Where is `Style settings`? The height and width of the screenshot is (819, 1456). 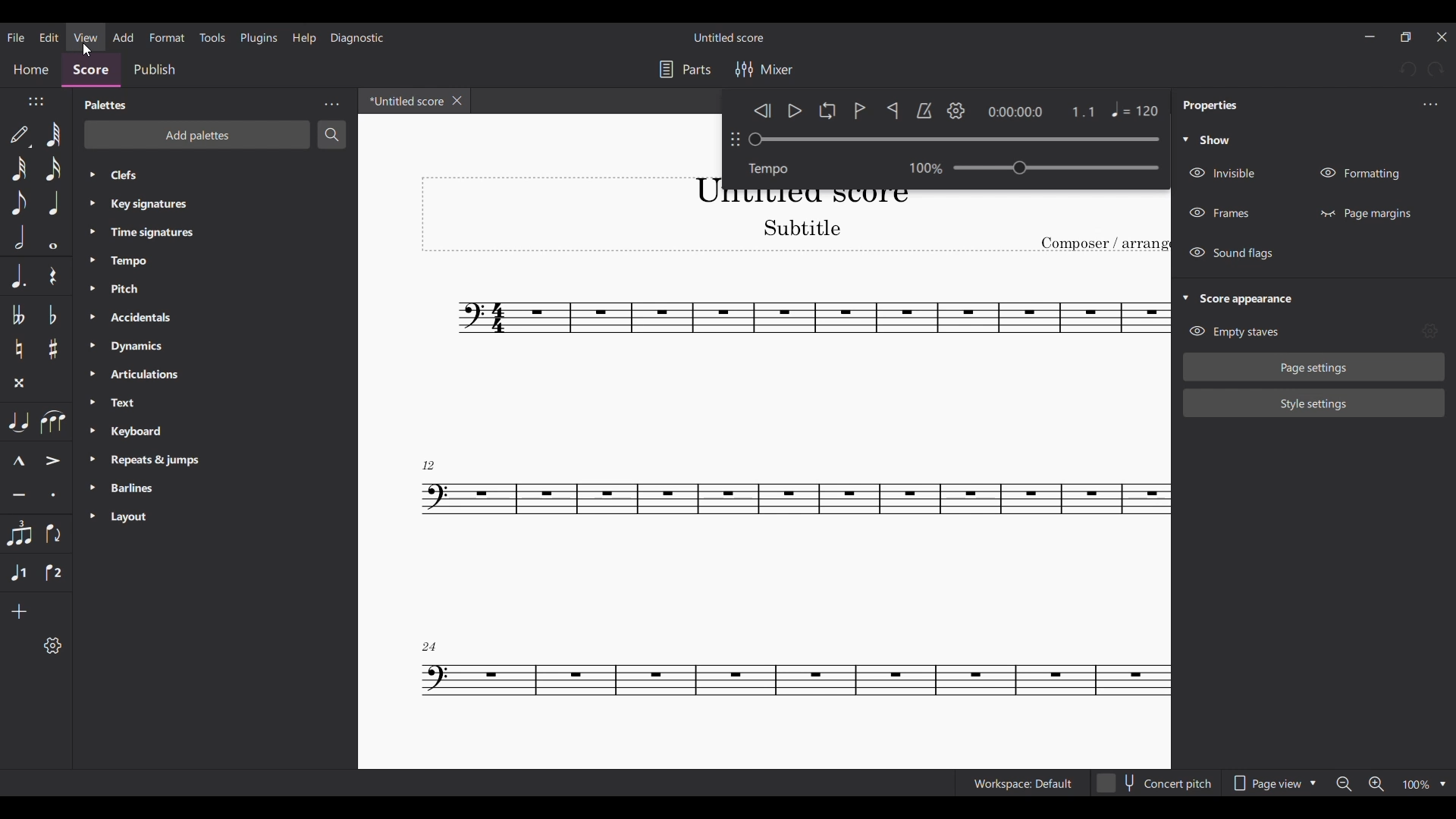
Style settings is located at coordinates (1314, 403).